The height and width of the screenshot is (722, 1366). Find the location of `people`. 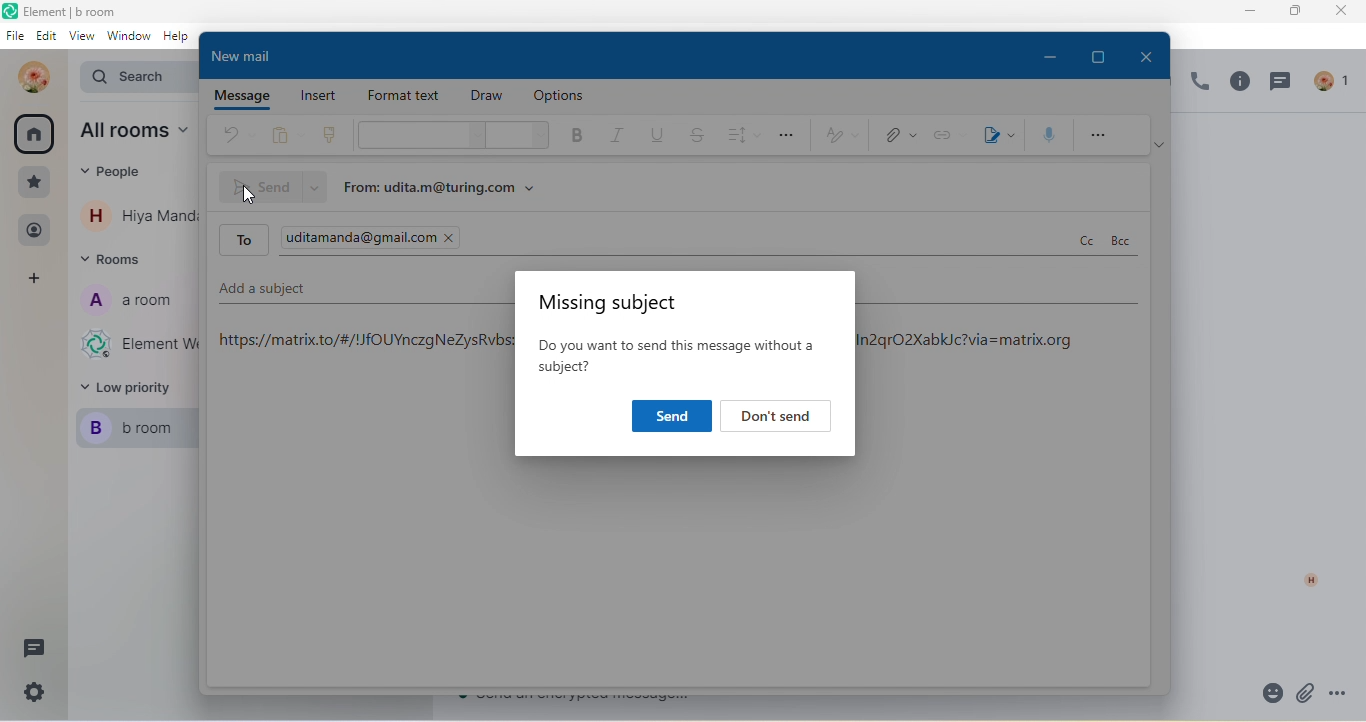

people is located at coordinates (34, 231).